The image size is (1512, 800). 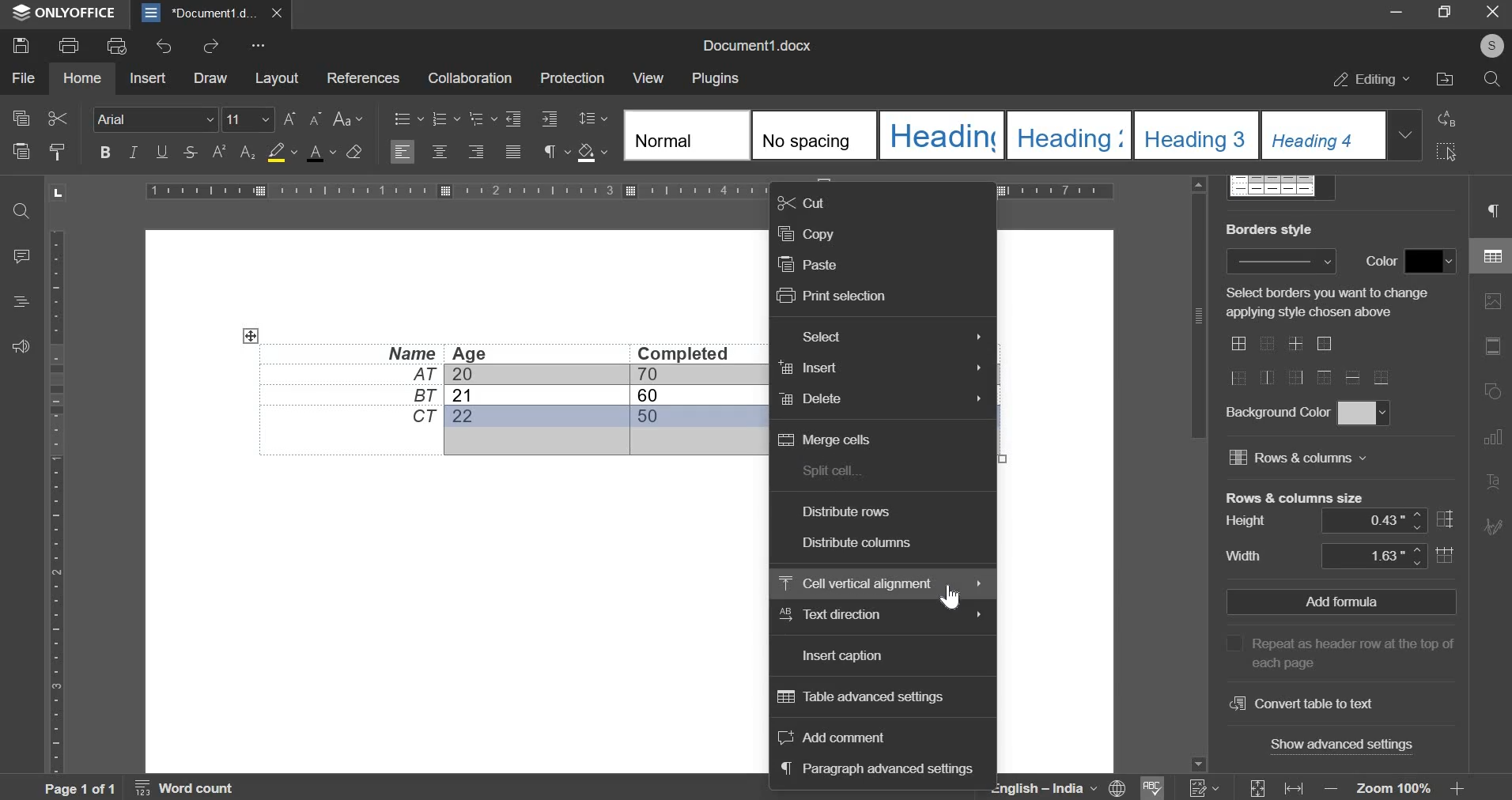 What do you see at coordinates (595, 118) in the screenshot?
I see `paragraph line spacing` at bounding box center [595, 118].